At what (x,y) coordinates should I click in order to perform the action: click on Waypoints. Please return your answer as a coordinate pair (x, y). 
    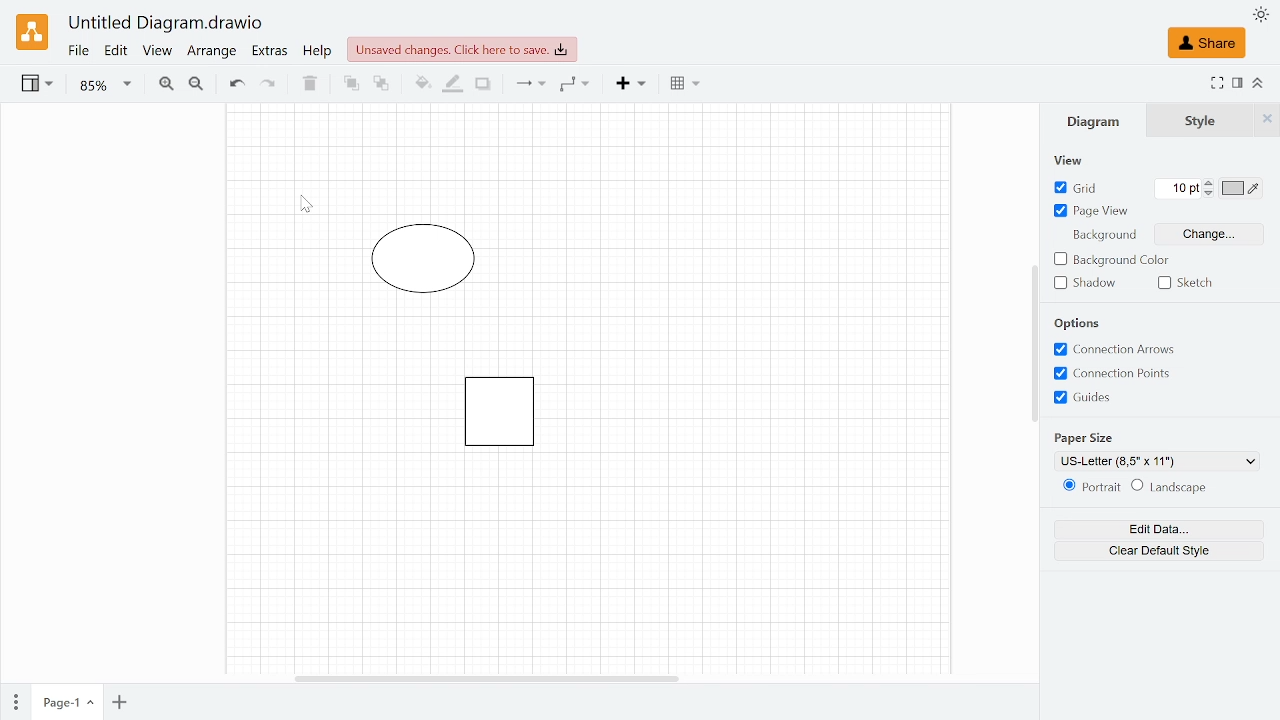
    Looking at the image, I should click on (574, 85).